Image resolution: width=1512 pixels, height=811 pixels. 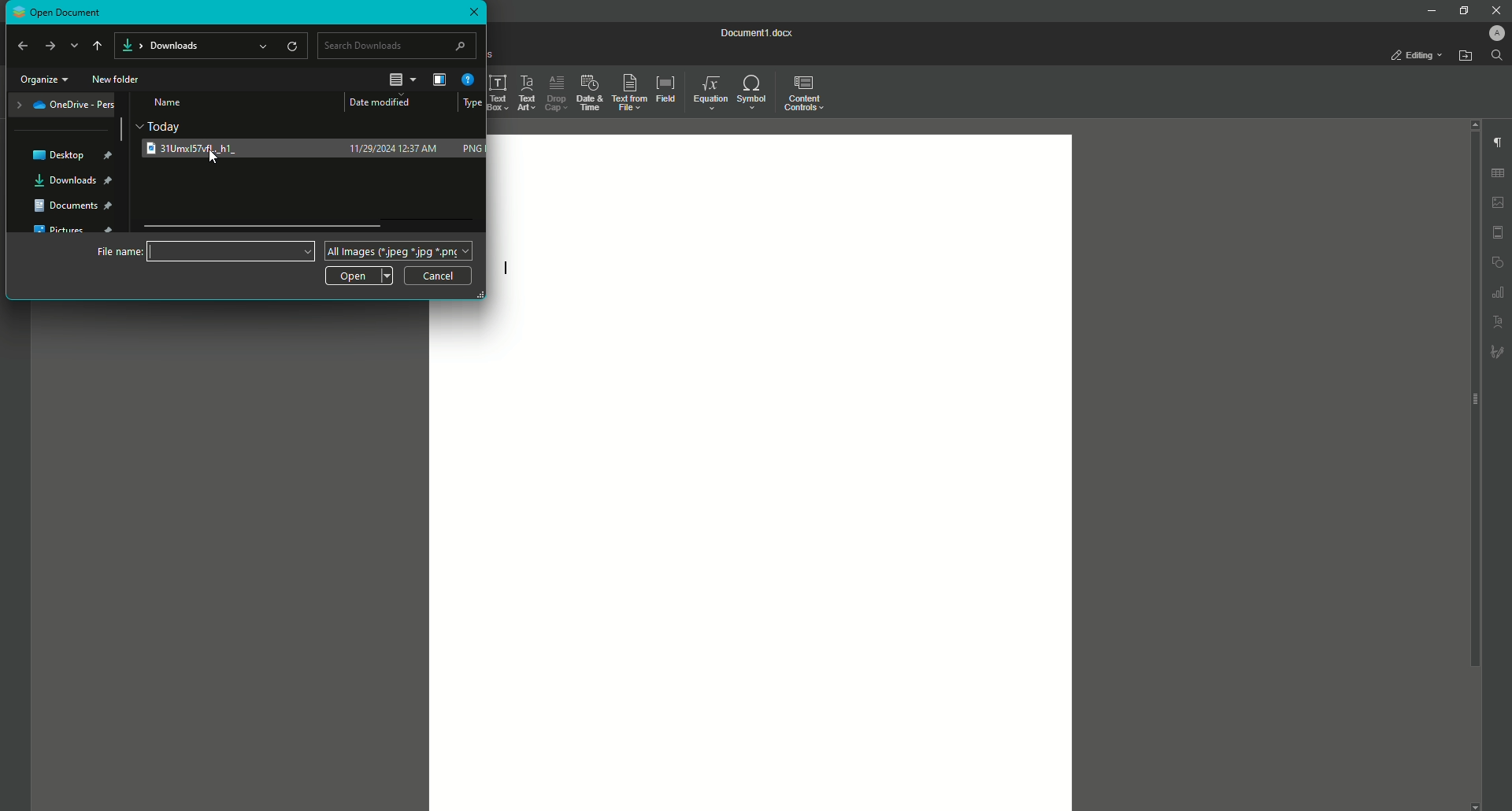 What do you see at coordinates (1499, 57) in the screenshot?
I see `Find` at bounding box center [1499, 57].